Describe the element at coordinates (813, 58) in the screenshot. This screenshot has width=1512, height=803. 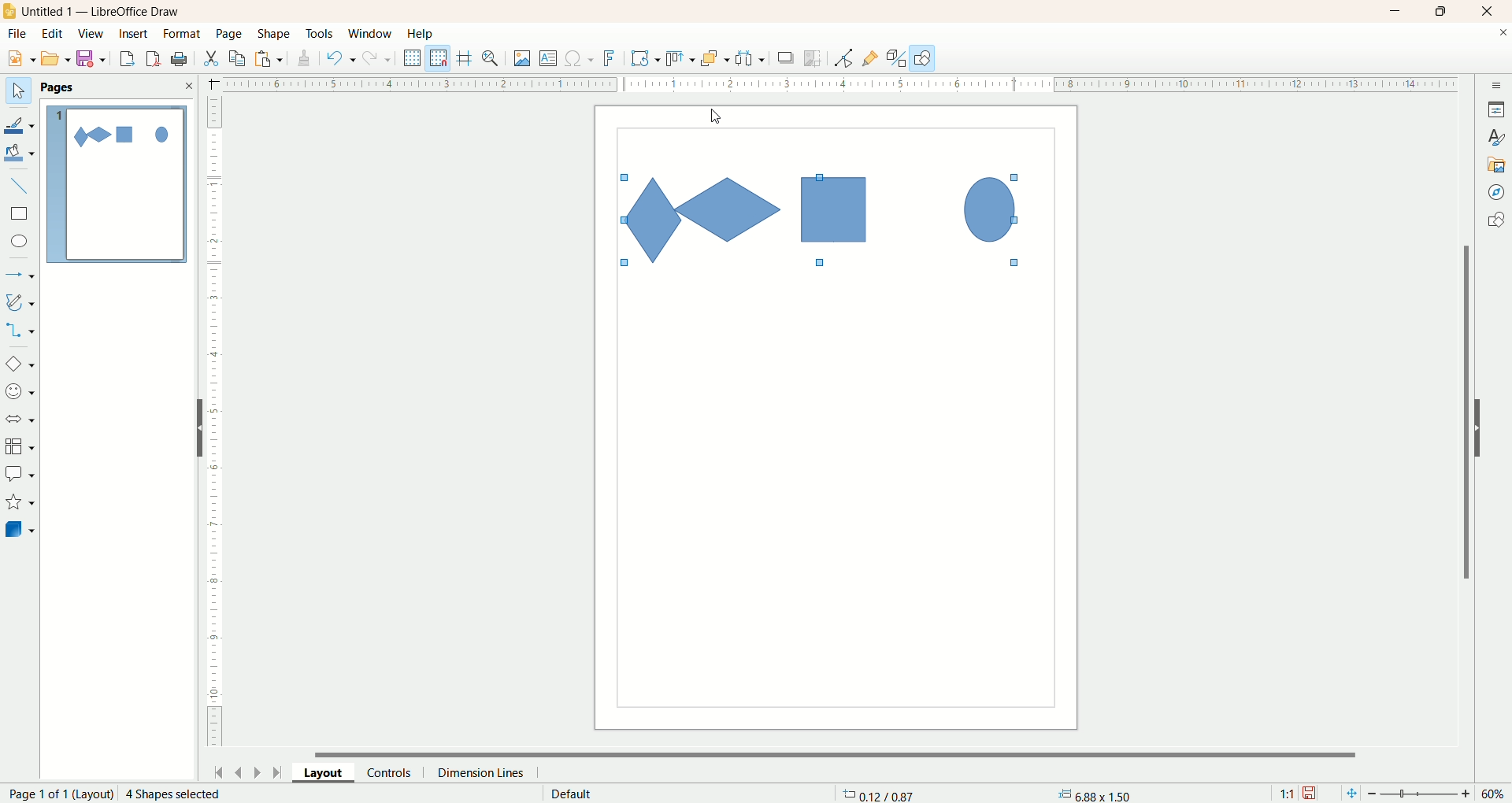
I see `crop image` at that location.